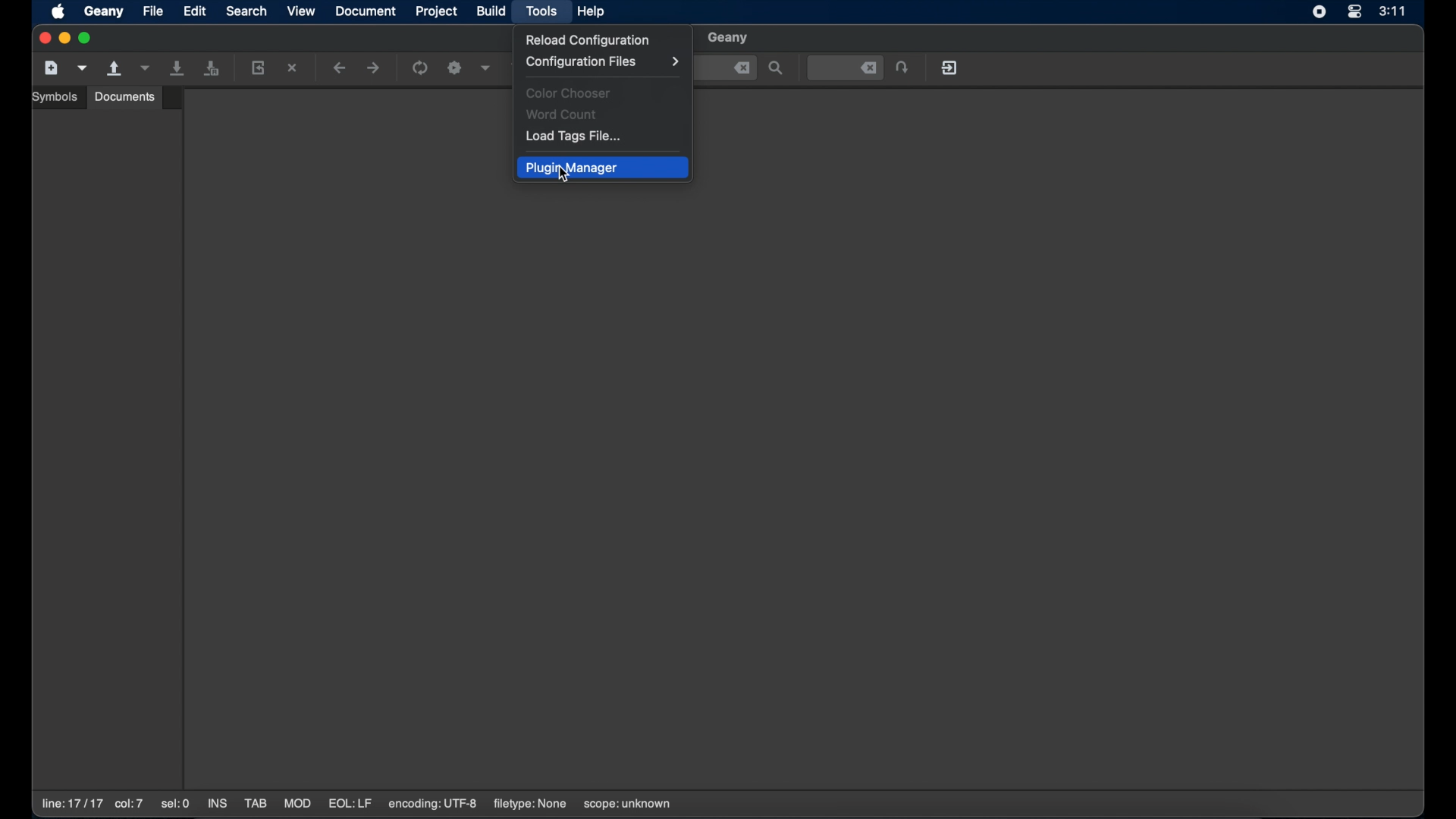 Image resolution: width=1456 pixels, height=819 pixels. Describe the element at coordinates (218, 805) in the screenshot. I see `INS` at that location.